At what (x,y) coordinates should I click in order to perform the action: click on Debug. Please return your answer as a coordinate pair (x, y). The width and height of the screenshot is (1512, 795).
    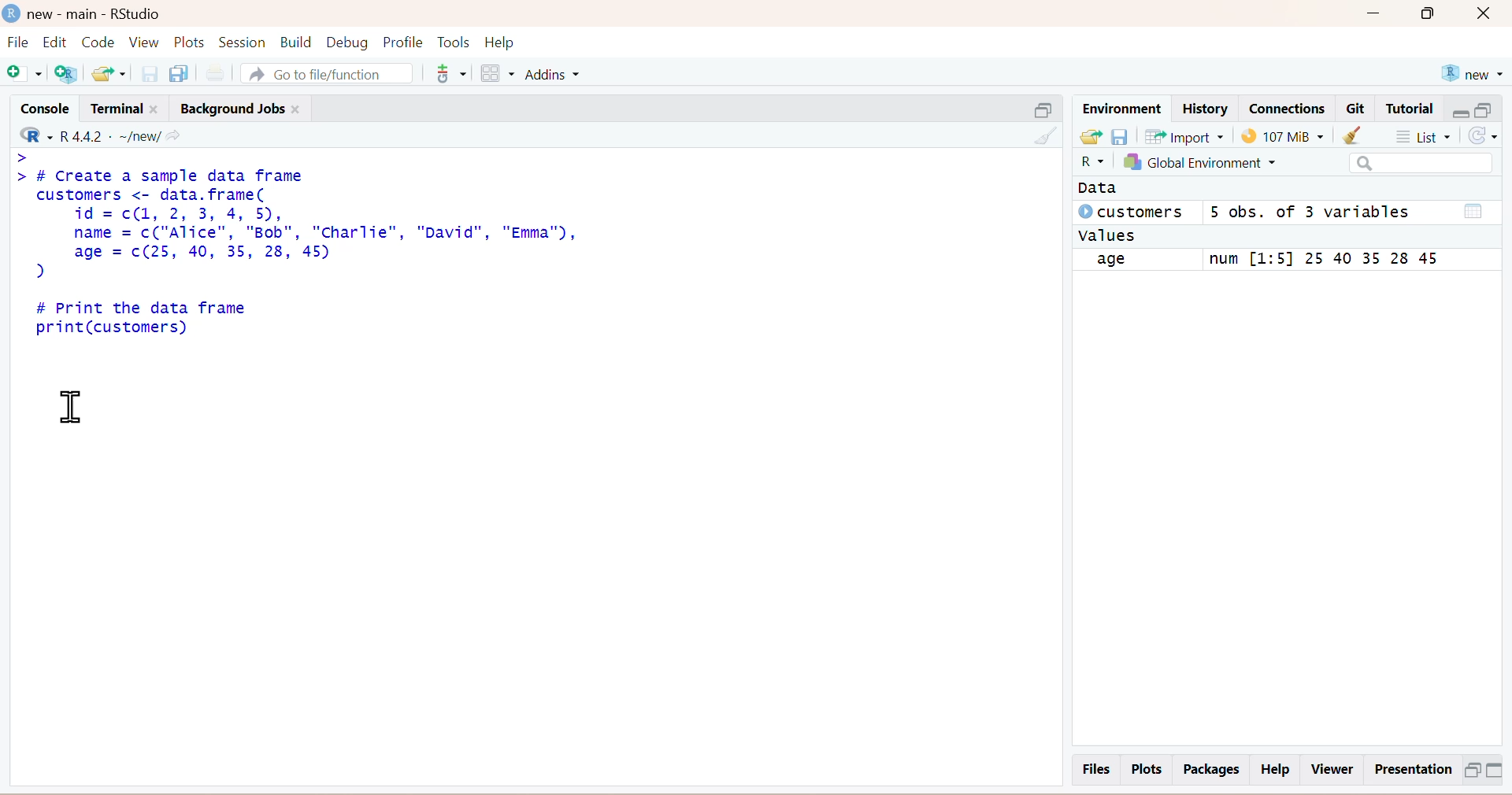
    Looking at the image, I should click on (346, 41).